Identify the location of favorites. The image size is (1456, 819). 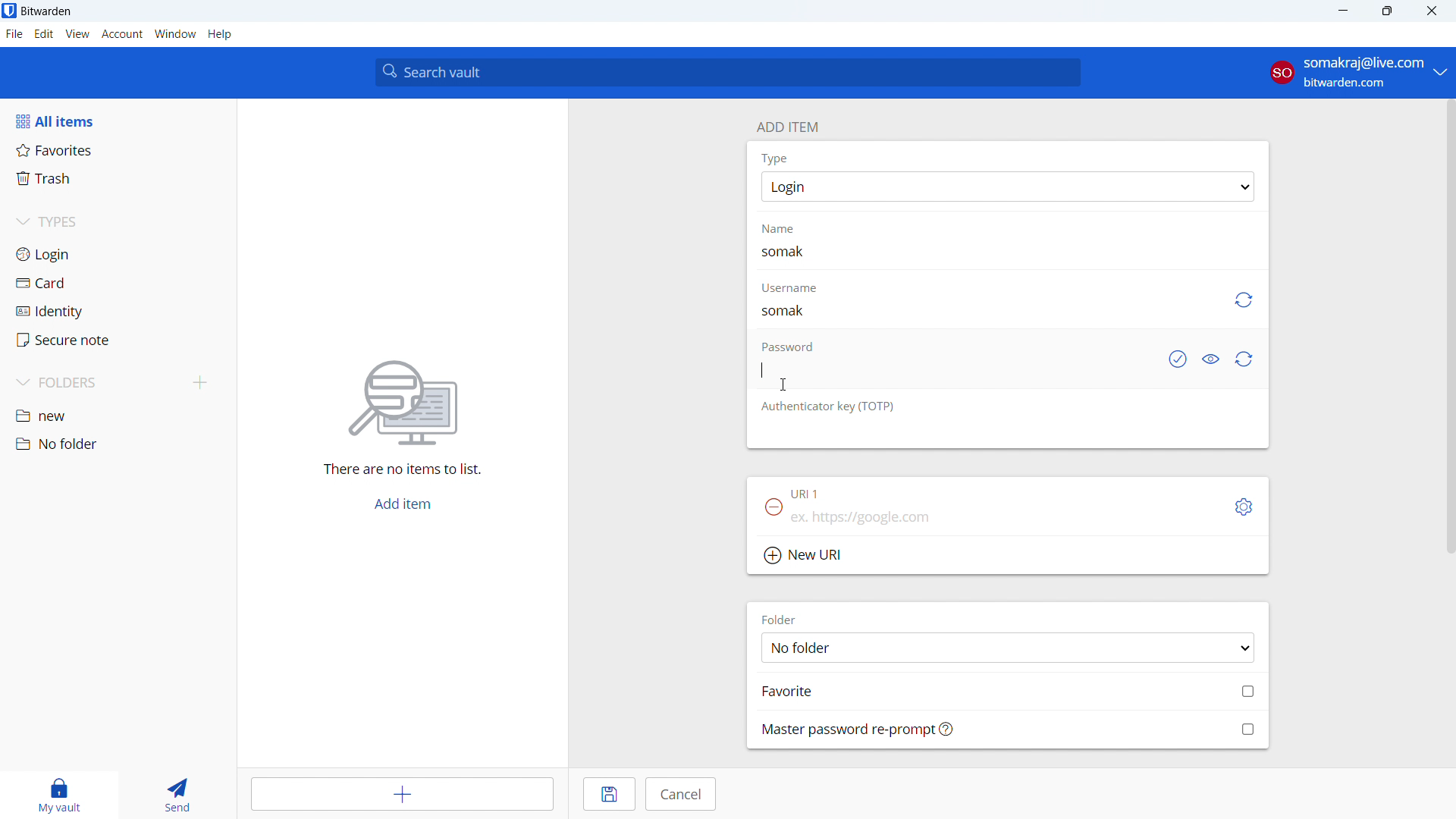
(118, 149).